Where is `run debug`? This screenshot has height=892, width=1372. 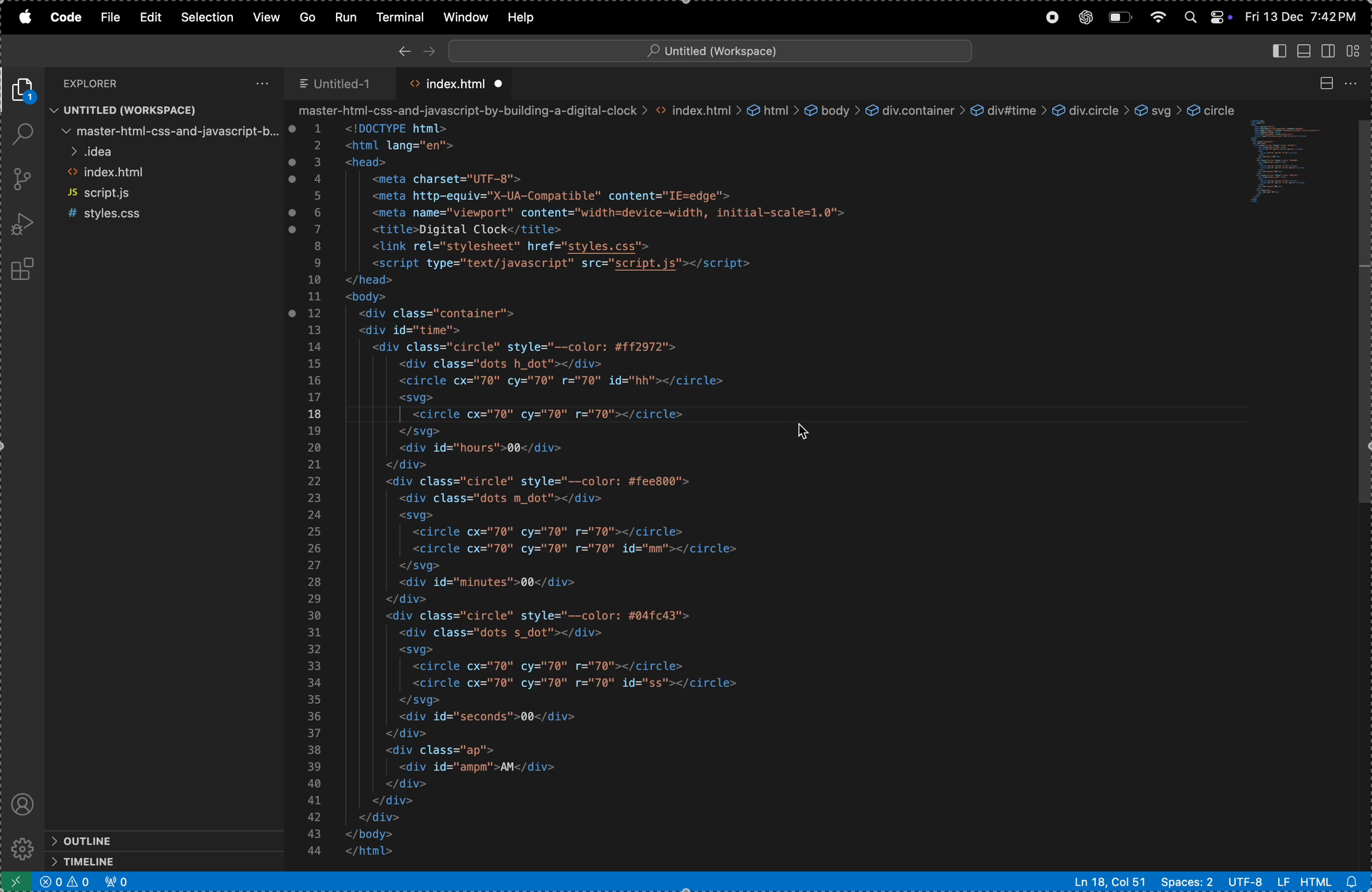 run debug is located at coordinates (21, 224).